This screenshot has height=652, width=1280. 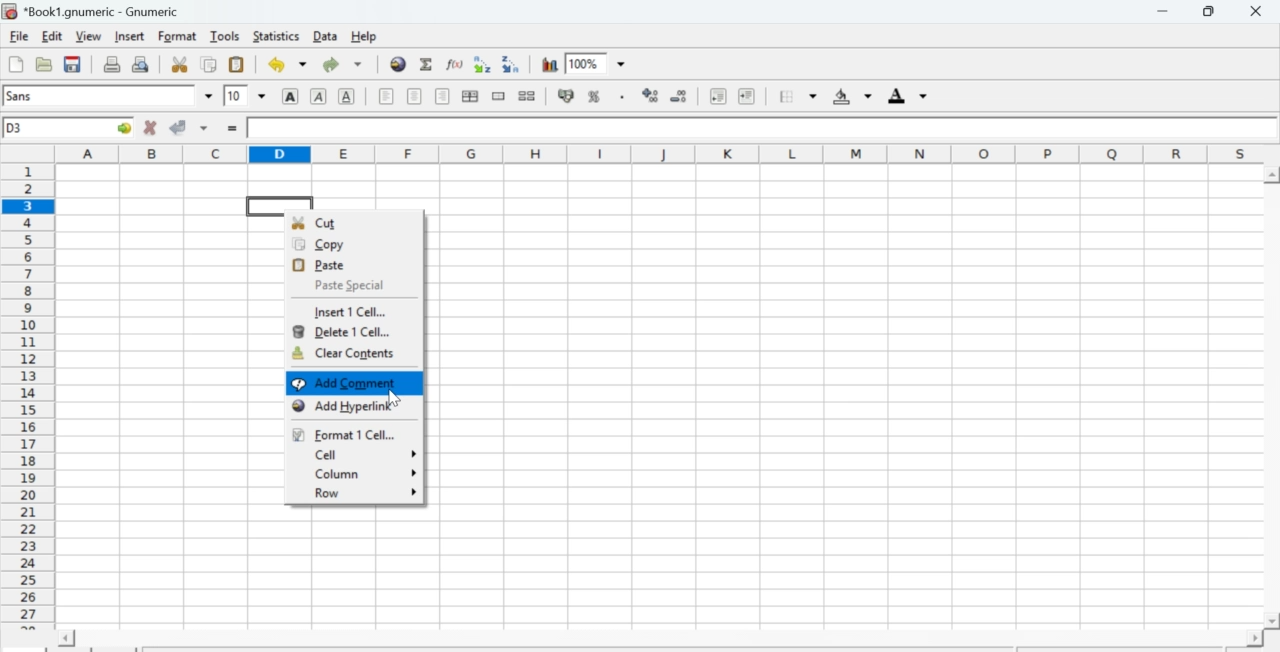 What do you see at coordinates (361, 494) in the screenshot?
I see `Row` at bounding box center [361, 494].